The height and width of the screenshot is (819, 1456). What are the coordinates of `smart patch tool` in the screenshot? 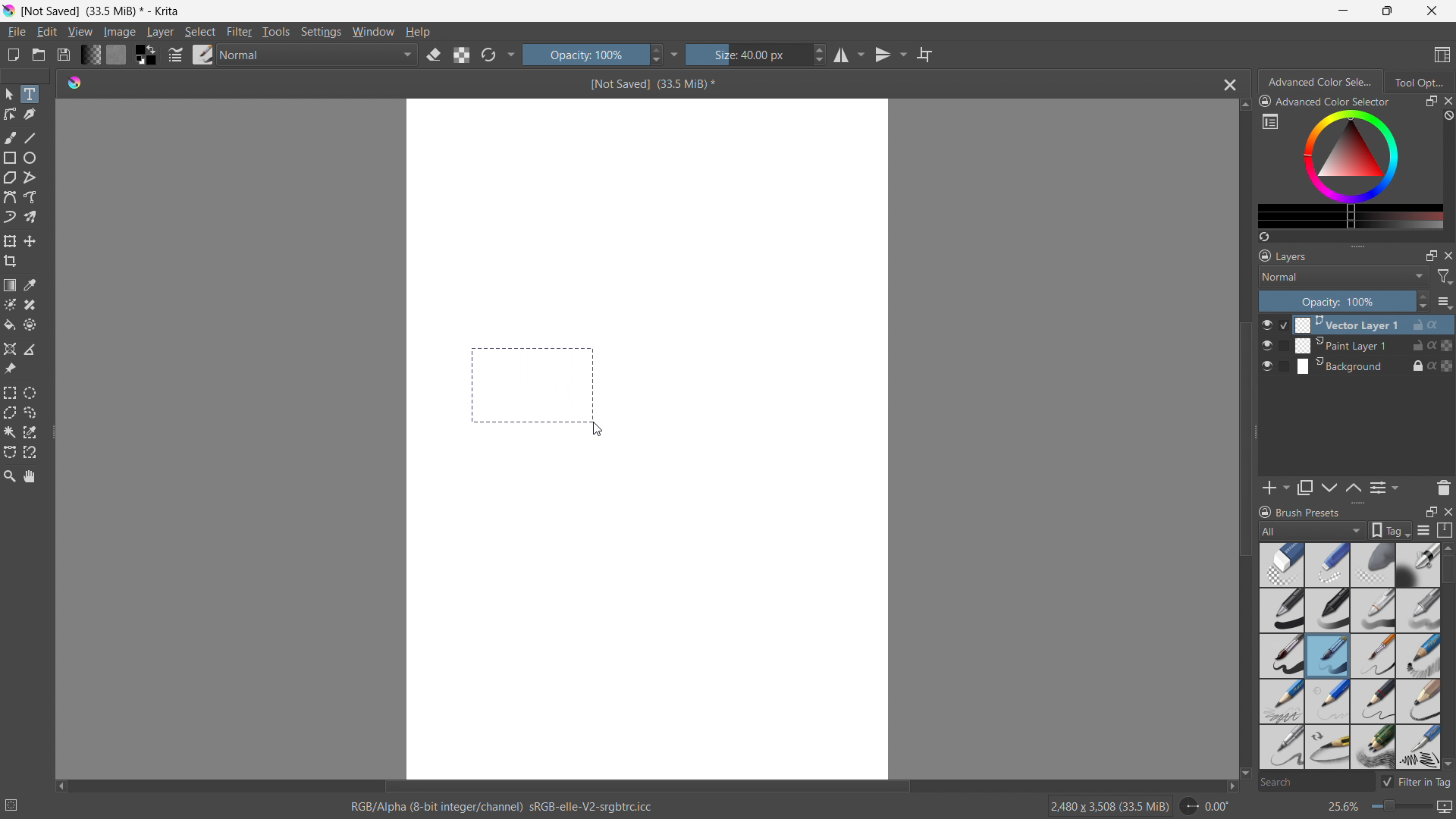 It's located at (30, 305).